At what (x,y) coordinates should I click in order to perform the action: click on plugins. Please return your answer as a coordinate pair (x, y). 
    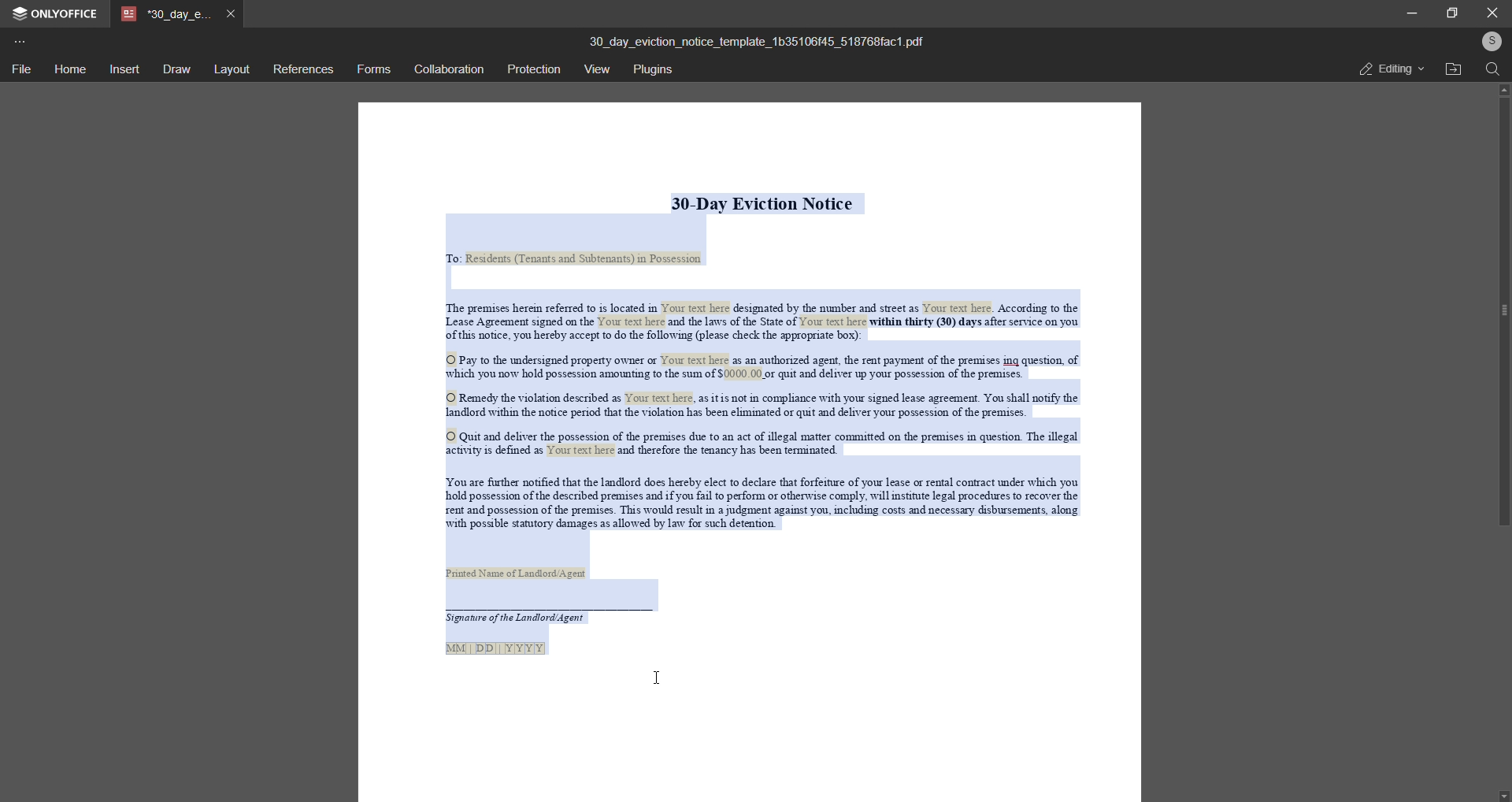
    Looking at the image, I should click on (658, 71).